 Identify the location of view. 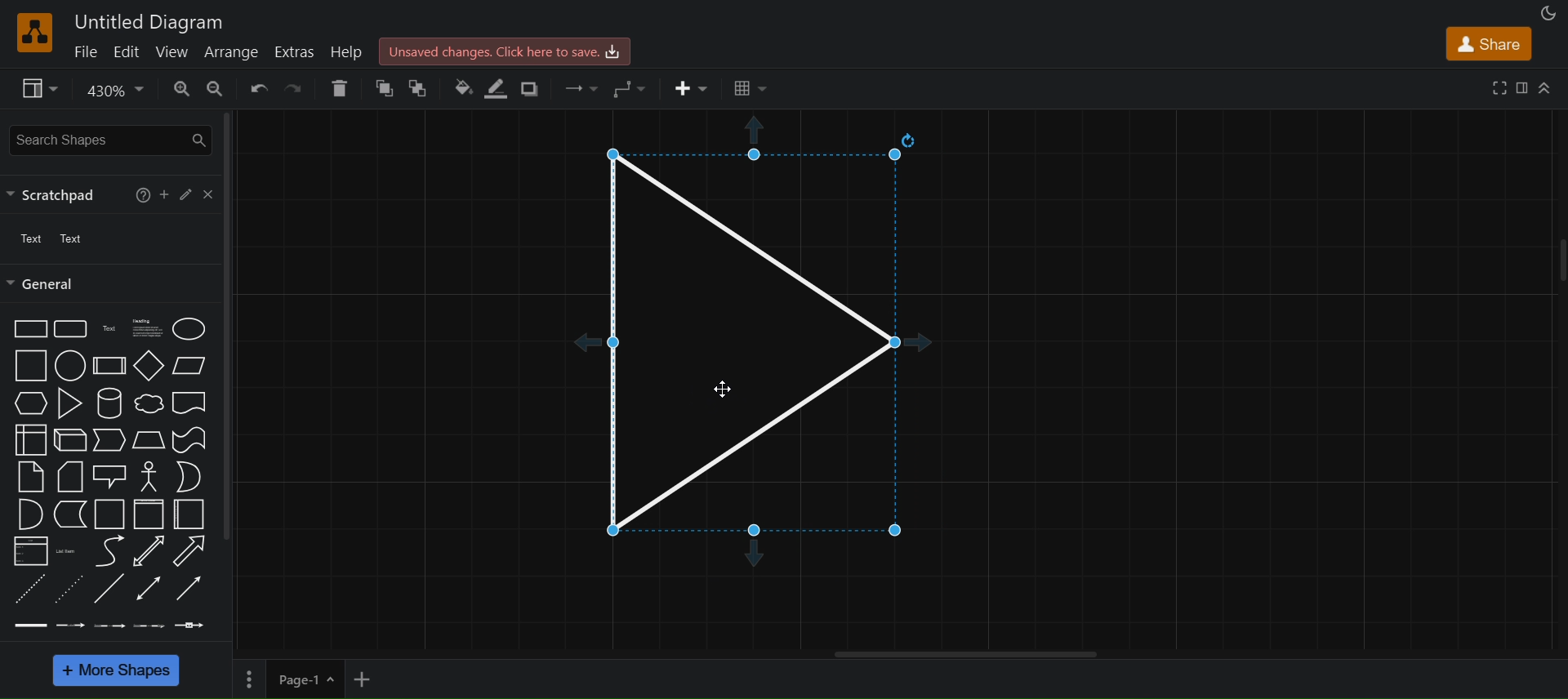
(39, 88).